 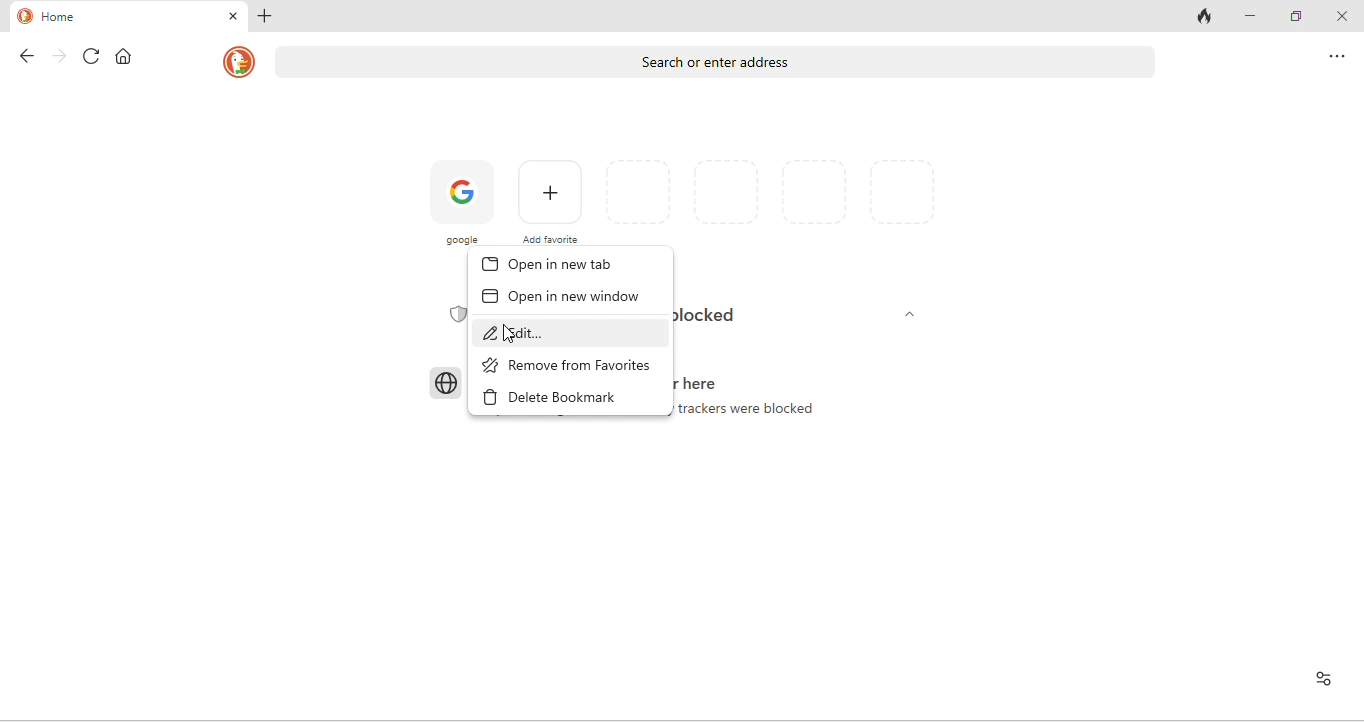 What do you see at coordinates (714, 61) in the screenshot?
I see `search or enter address` at bounding box center [714, 61].